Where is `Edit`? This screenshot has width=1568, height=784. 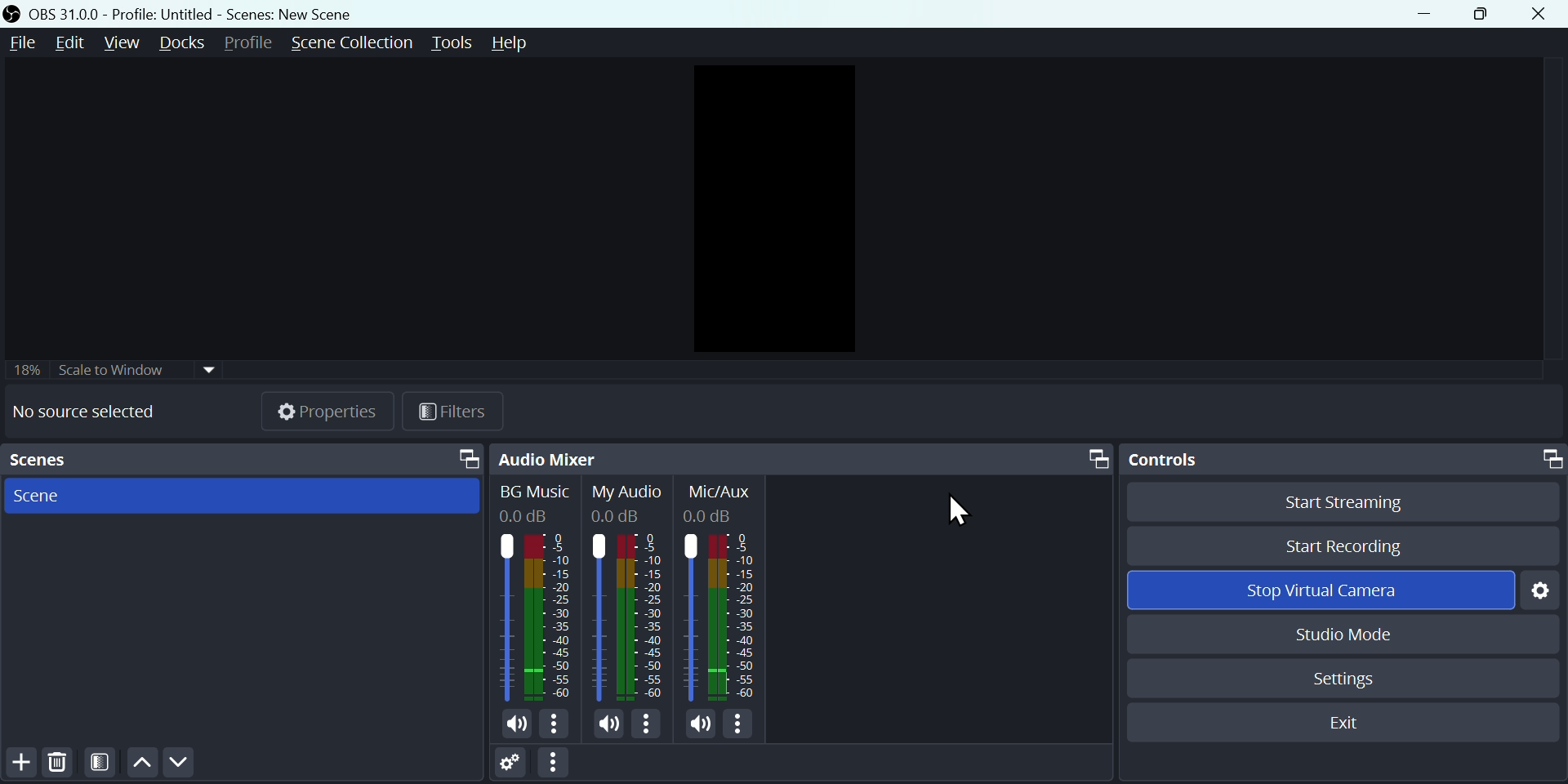 Edit is located at coordinates (74, 40).